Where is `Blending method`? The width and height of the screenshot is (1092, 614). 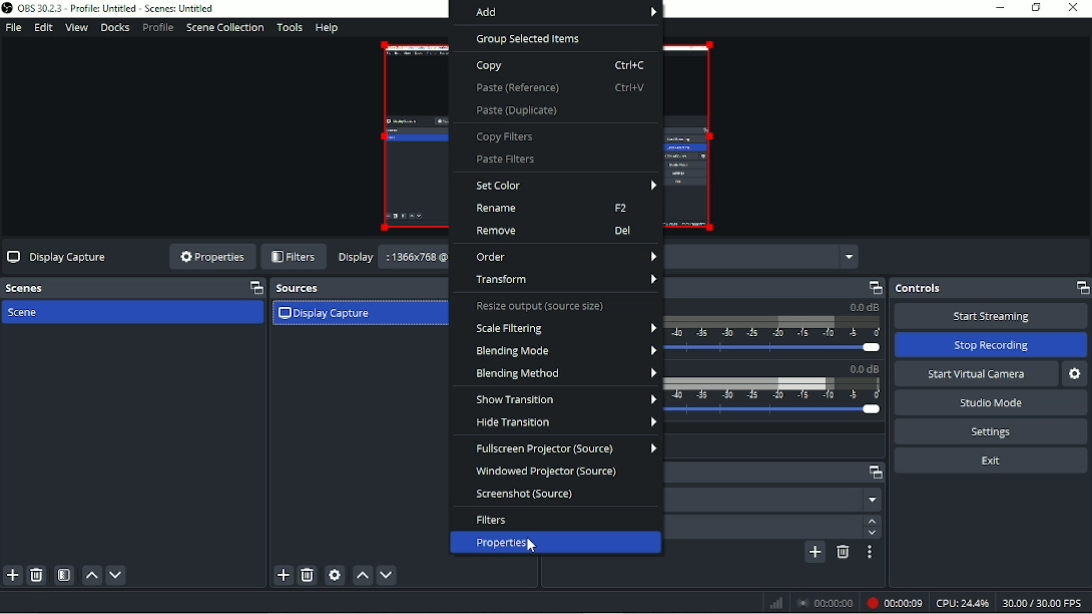 Blending method is located at coordinates (566, 373).